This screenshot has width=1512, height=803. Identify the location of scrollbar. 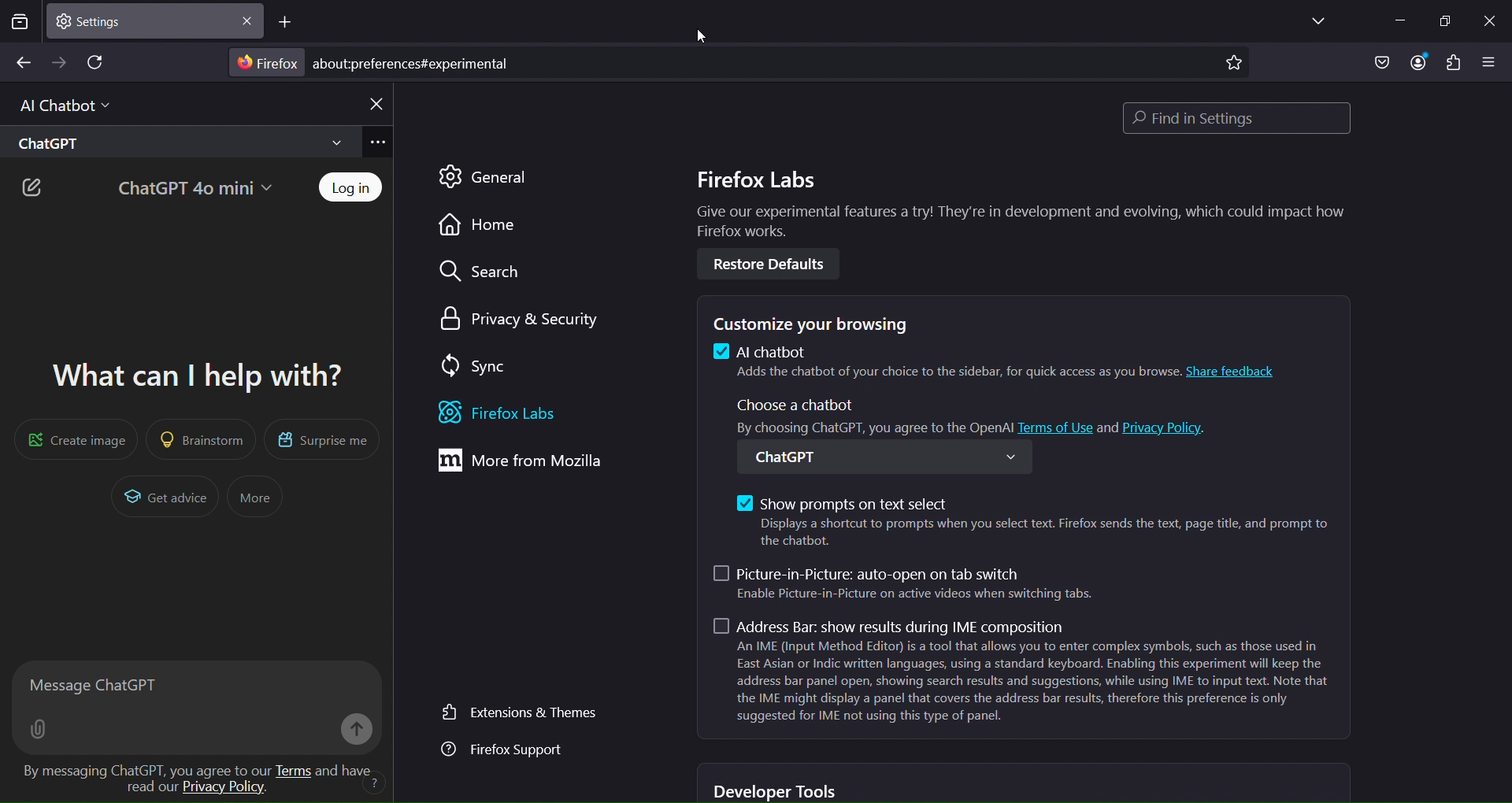
(1503, 383).